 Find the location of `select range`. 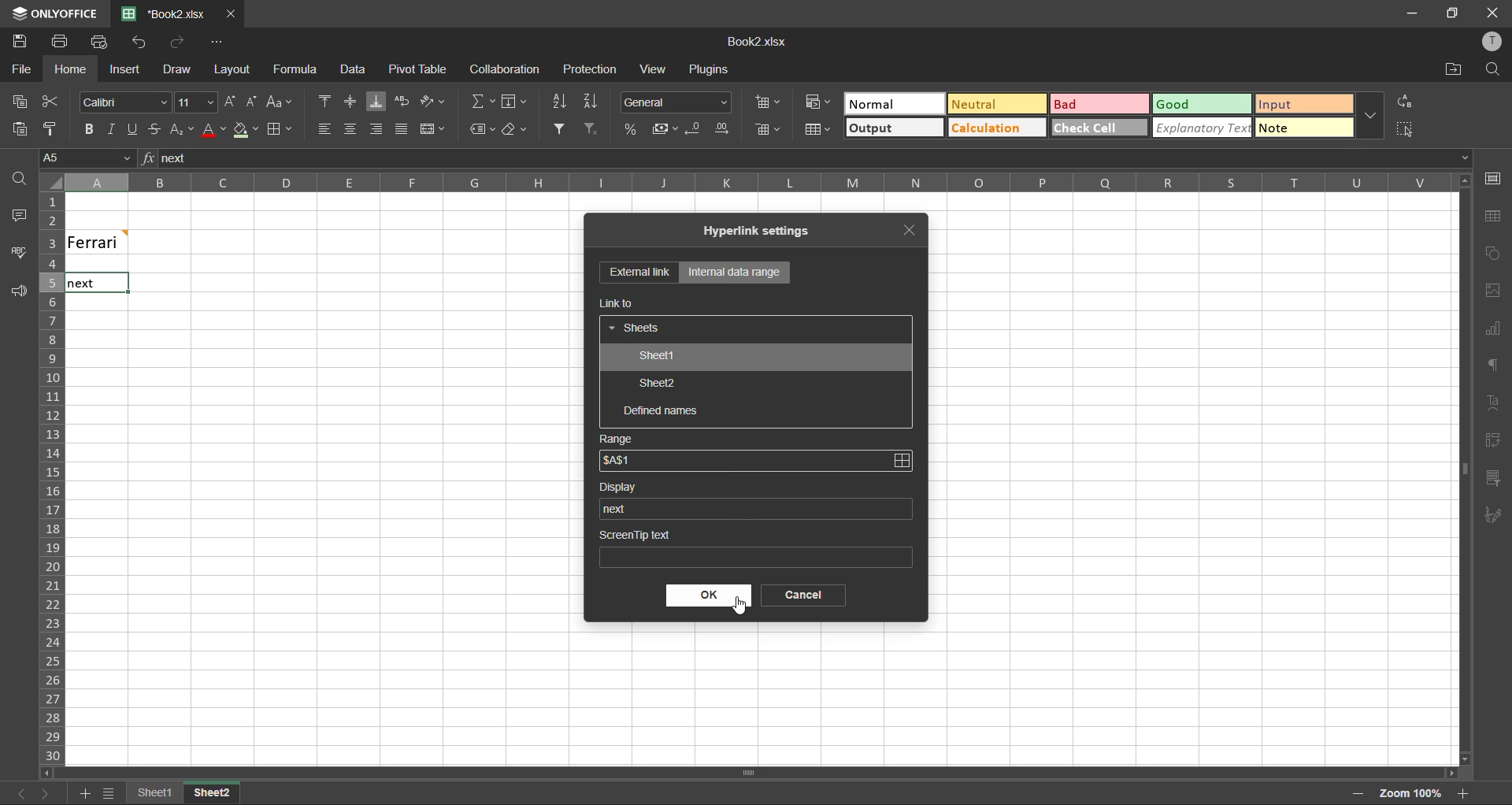

select range is located at coordinates (902, 462).